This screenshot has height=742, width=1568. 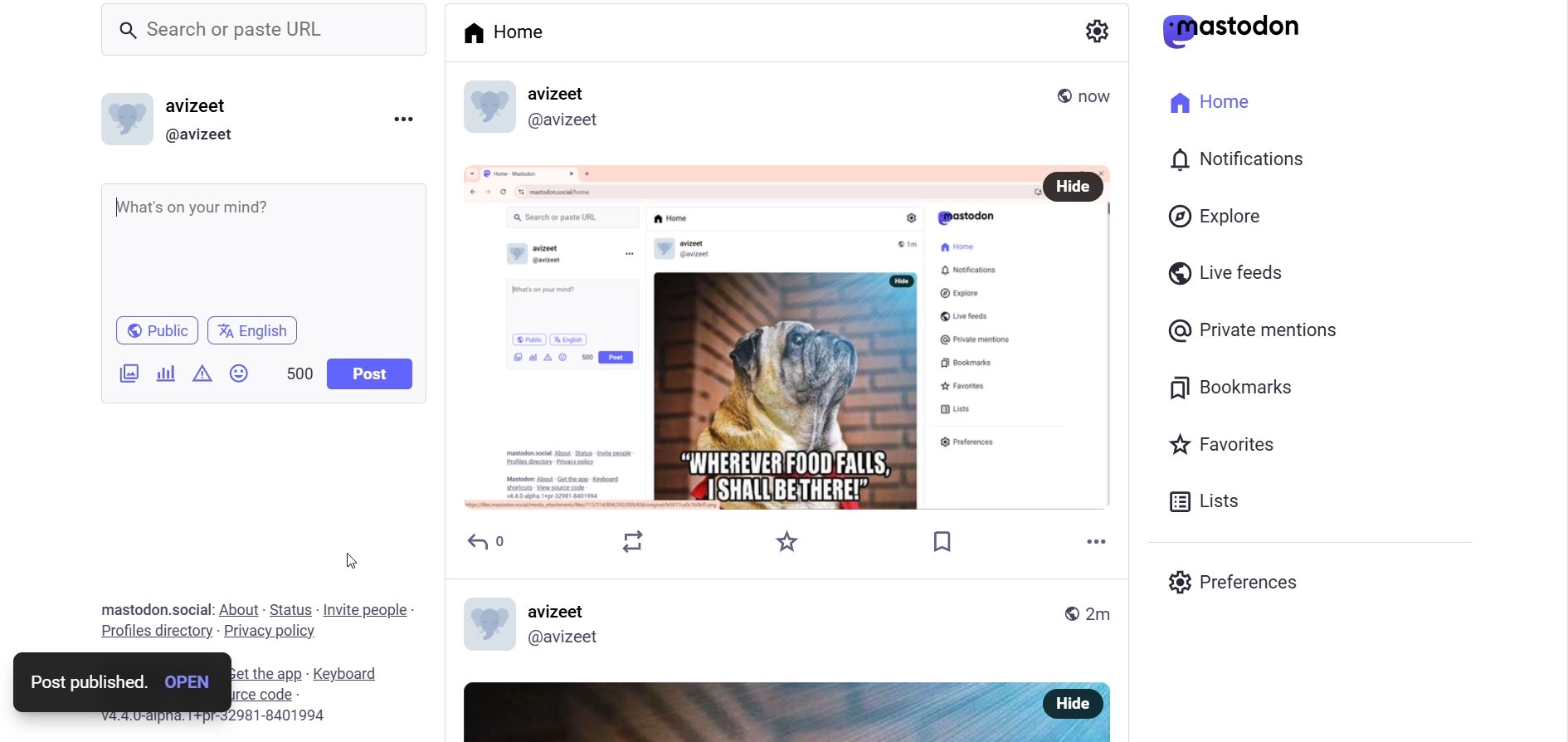 What do you see at coordinates (204, 374) in the screenshot?
I see `content warning` at bounding box center [204, 374].